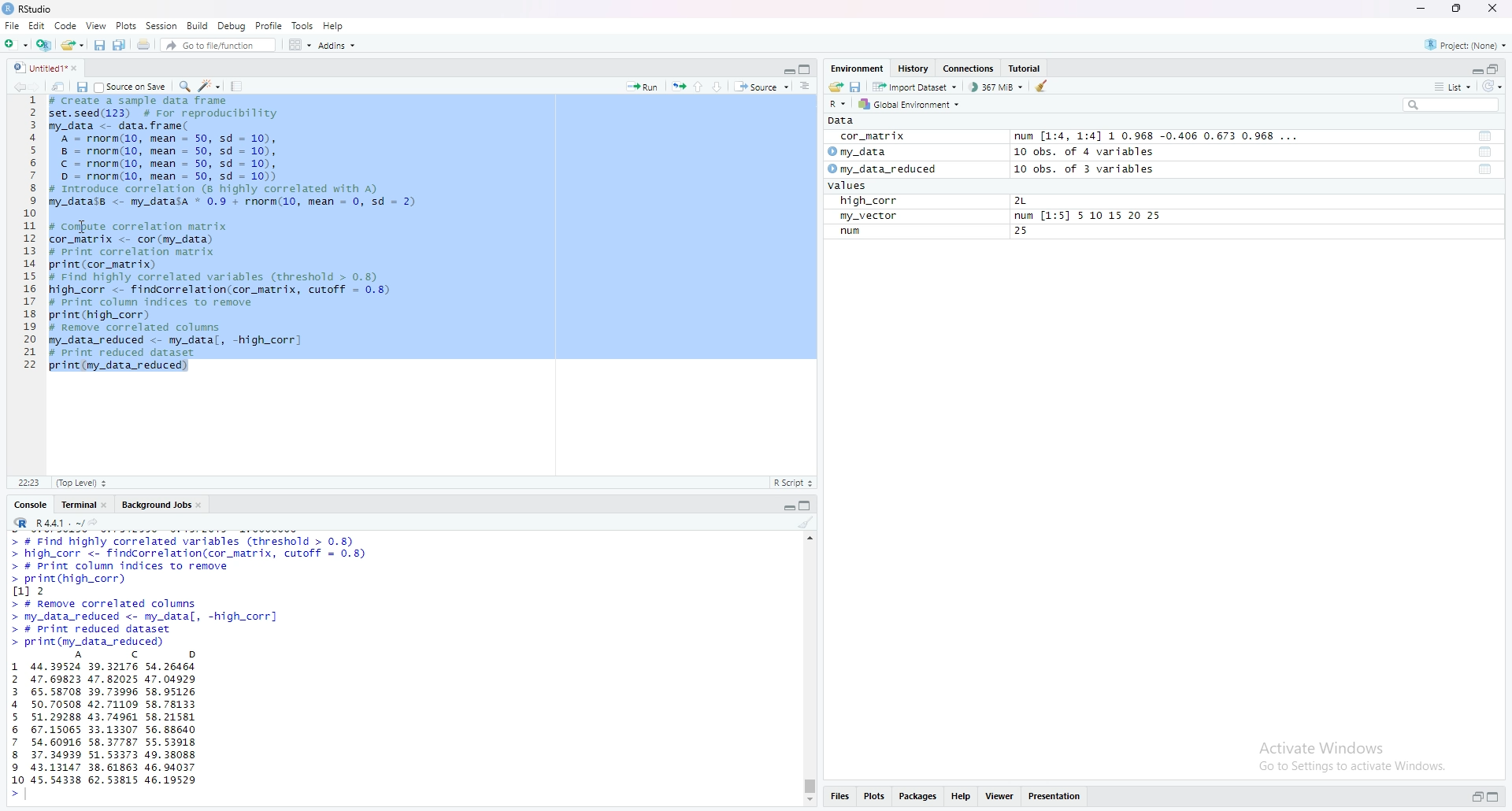 The image size is (1512, 811). I want to click on my_data 10 obs. of 4 variables, so click(991, 152).